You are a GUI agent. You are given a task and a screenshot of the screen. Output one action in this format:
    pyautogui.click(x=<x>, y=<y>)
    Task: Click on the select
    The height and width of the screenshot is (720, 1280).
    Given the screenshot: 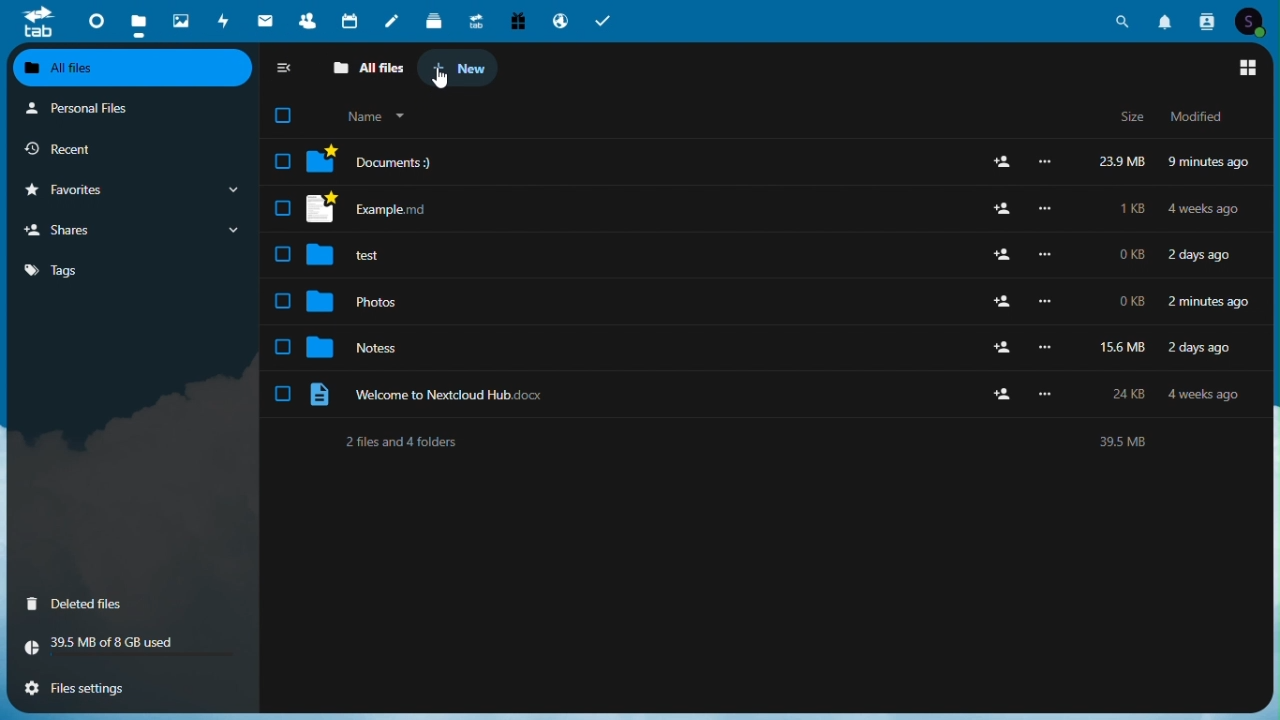 What is the action you would take?
    pyautogui.click(x=281, y=161)
    